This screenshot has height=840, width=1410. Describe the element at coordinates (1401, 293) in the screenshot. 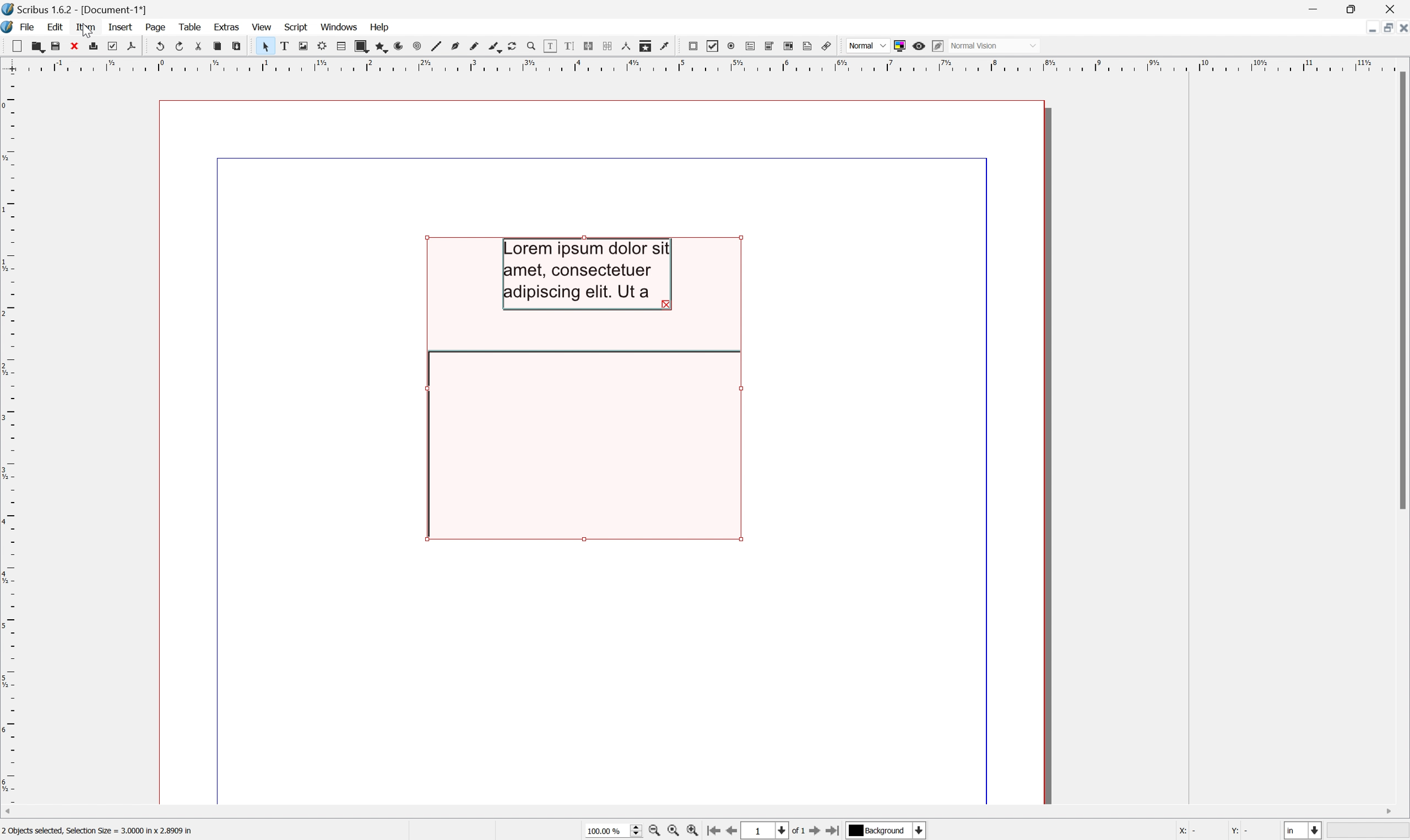

I see `Scroll bar` at that location.